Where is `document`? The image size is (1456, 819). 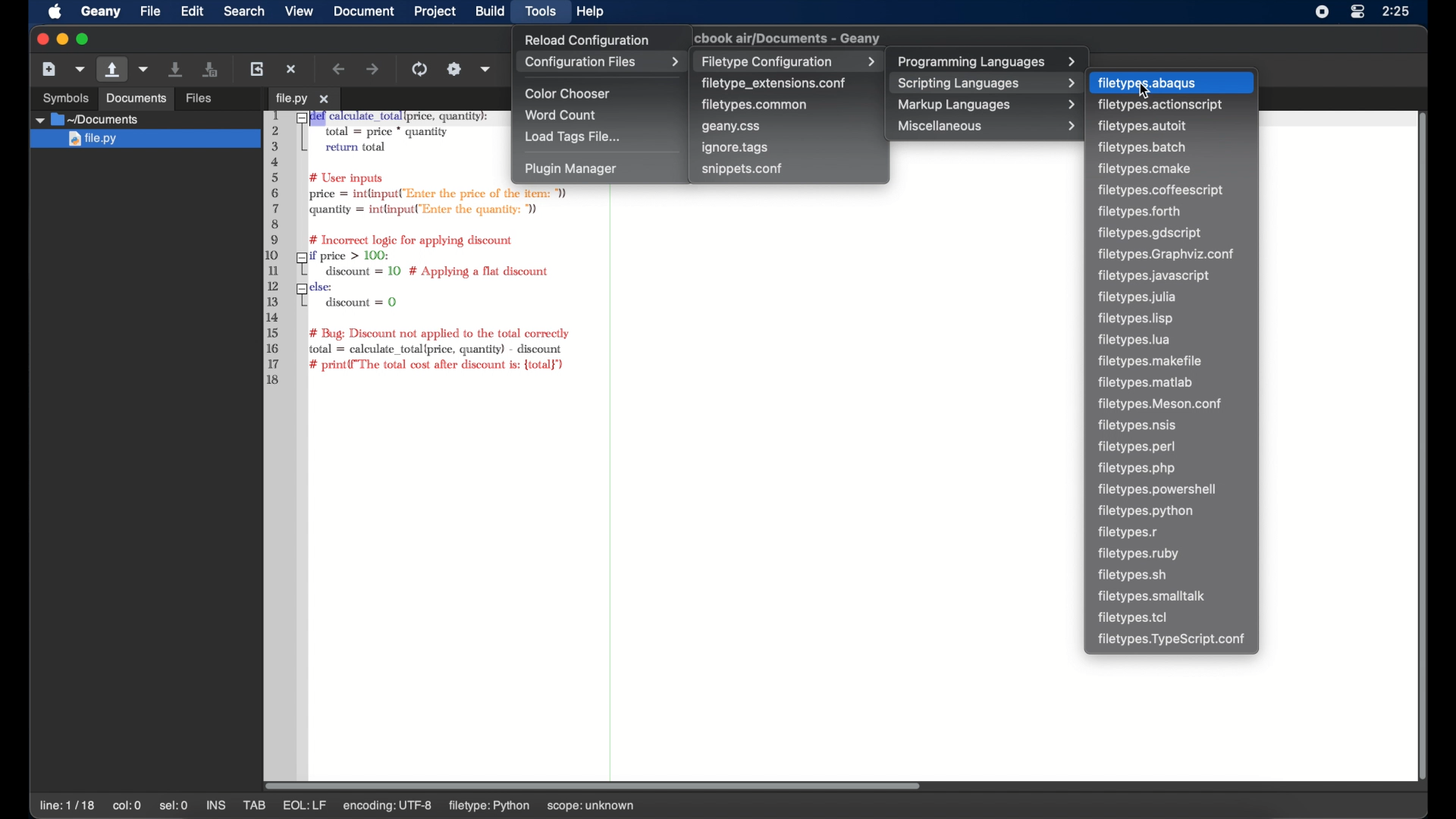
document is located at coordinates (362, 11).